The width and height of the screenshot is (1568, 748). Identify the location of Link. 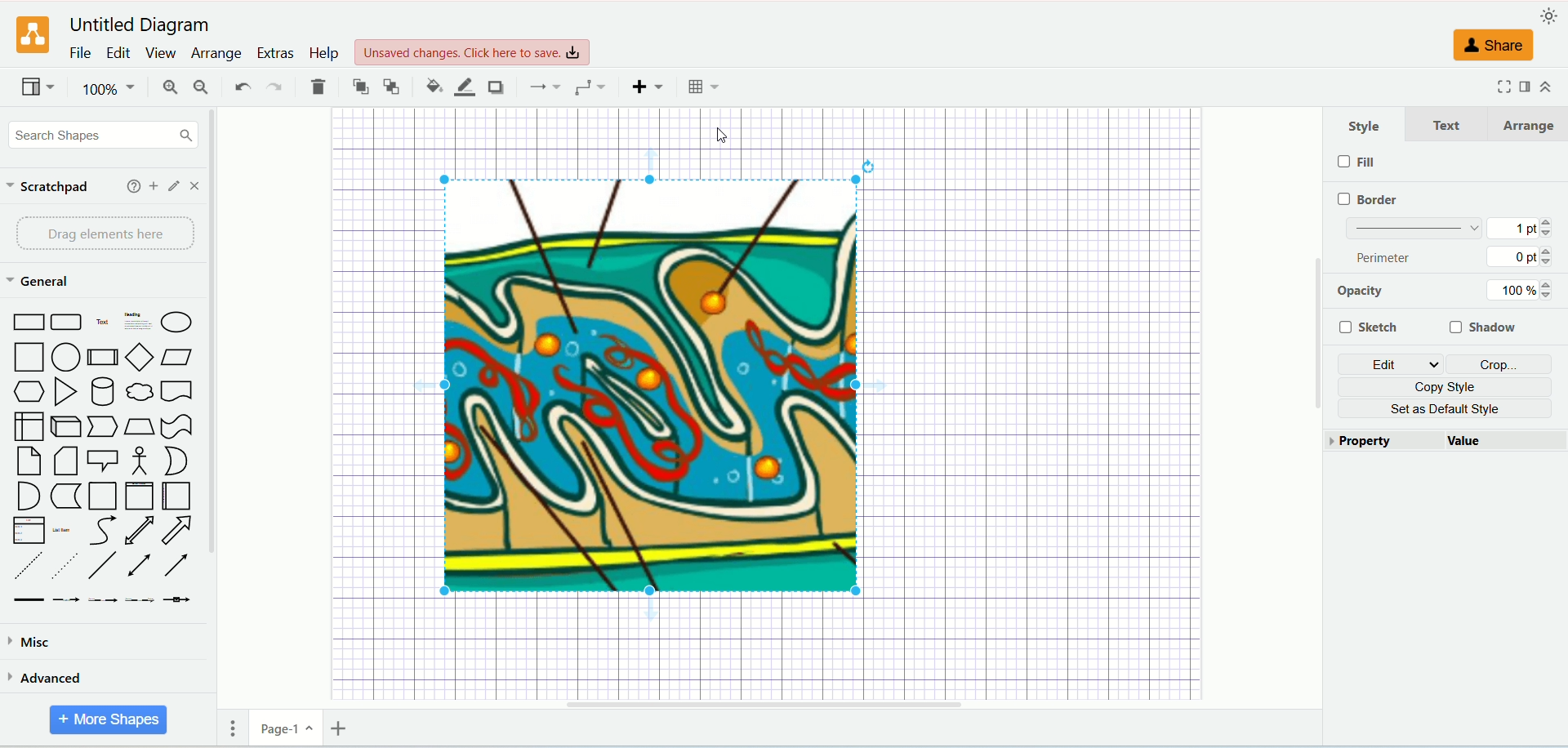
(29, 601).